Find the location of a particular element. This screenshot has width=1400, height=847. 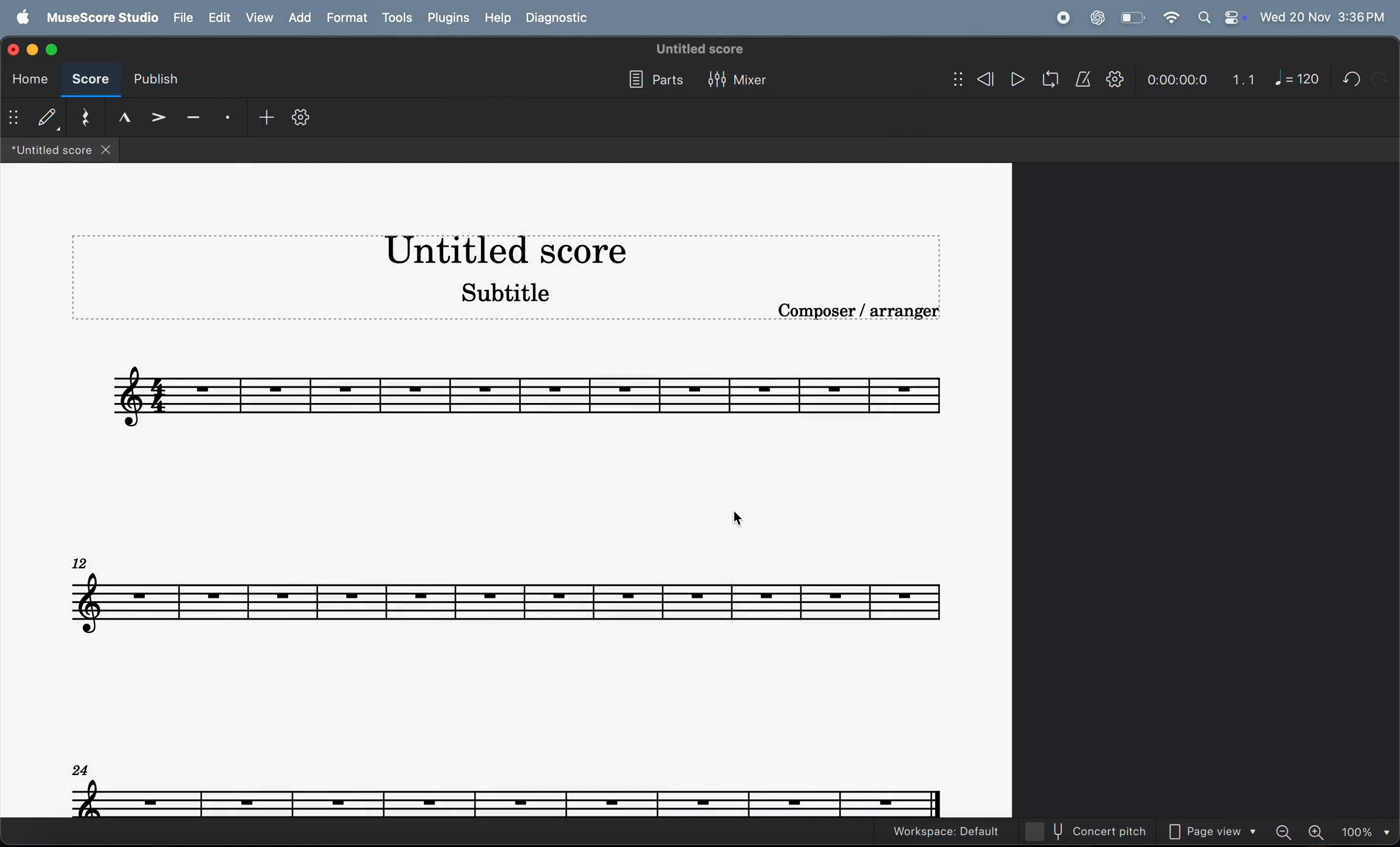

rewind is located at coordinates (973, 81).